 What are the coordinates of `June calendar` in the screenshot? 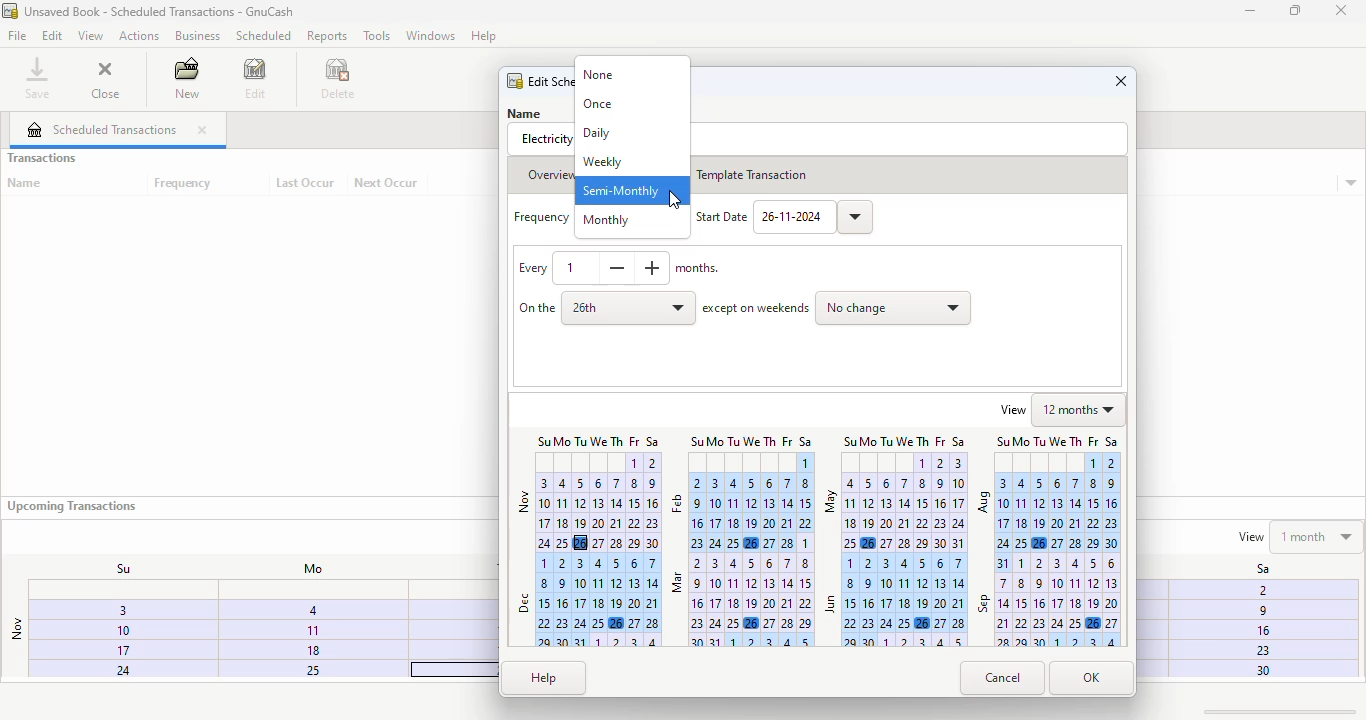 It's located at (896, 600).